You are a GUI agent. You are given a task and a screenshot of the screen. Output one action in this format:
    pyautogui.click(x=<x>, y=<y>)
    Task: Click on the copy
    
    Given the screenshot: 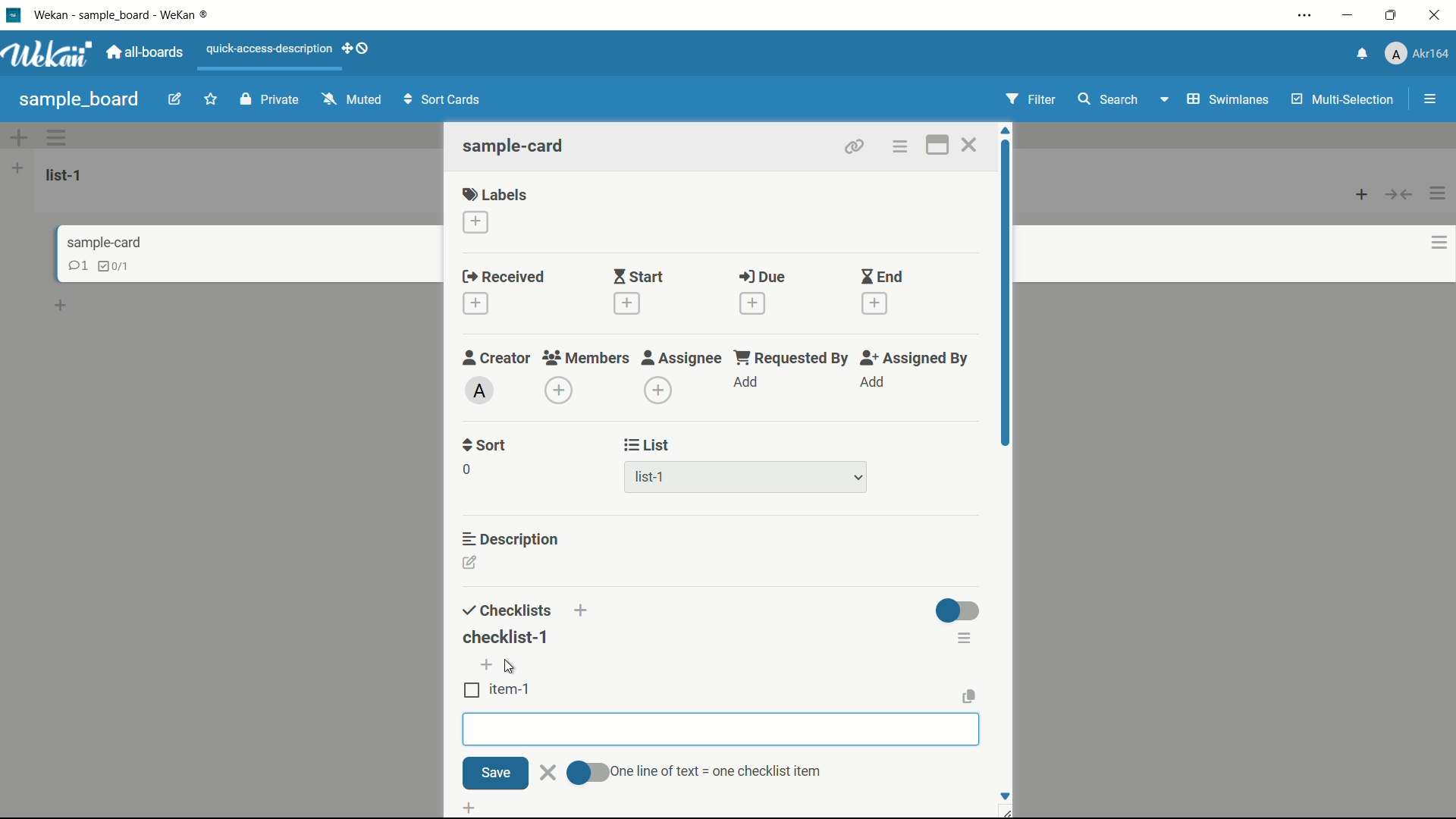 What is the action you would take?
    pyautogui.click(x=968, y=695)
    